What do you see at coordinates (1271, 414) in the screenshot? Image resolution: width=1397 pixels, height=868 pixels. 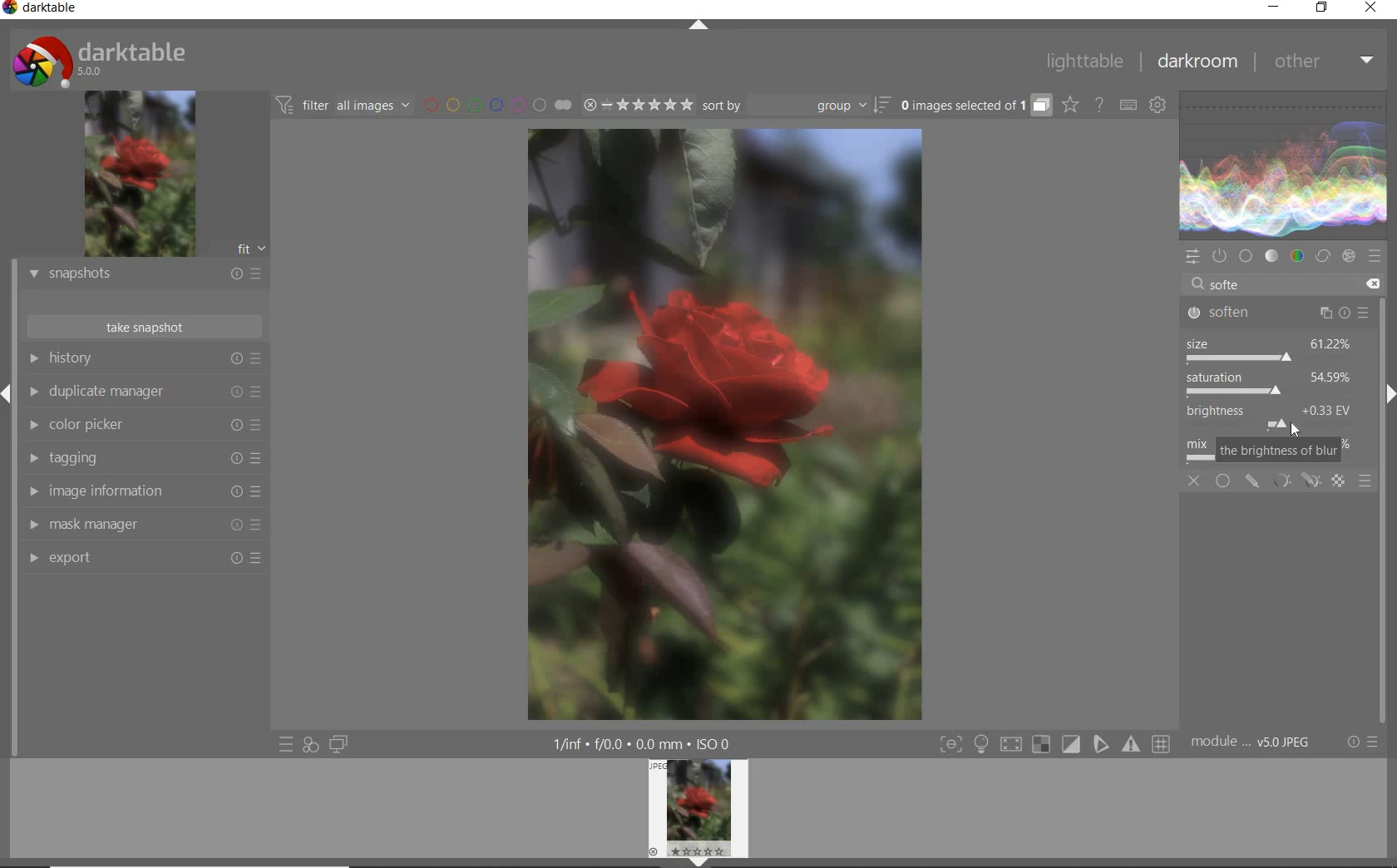 I see `brightness` at bounding box center [1271, 414].